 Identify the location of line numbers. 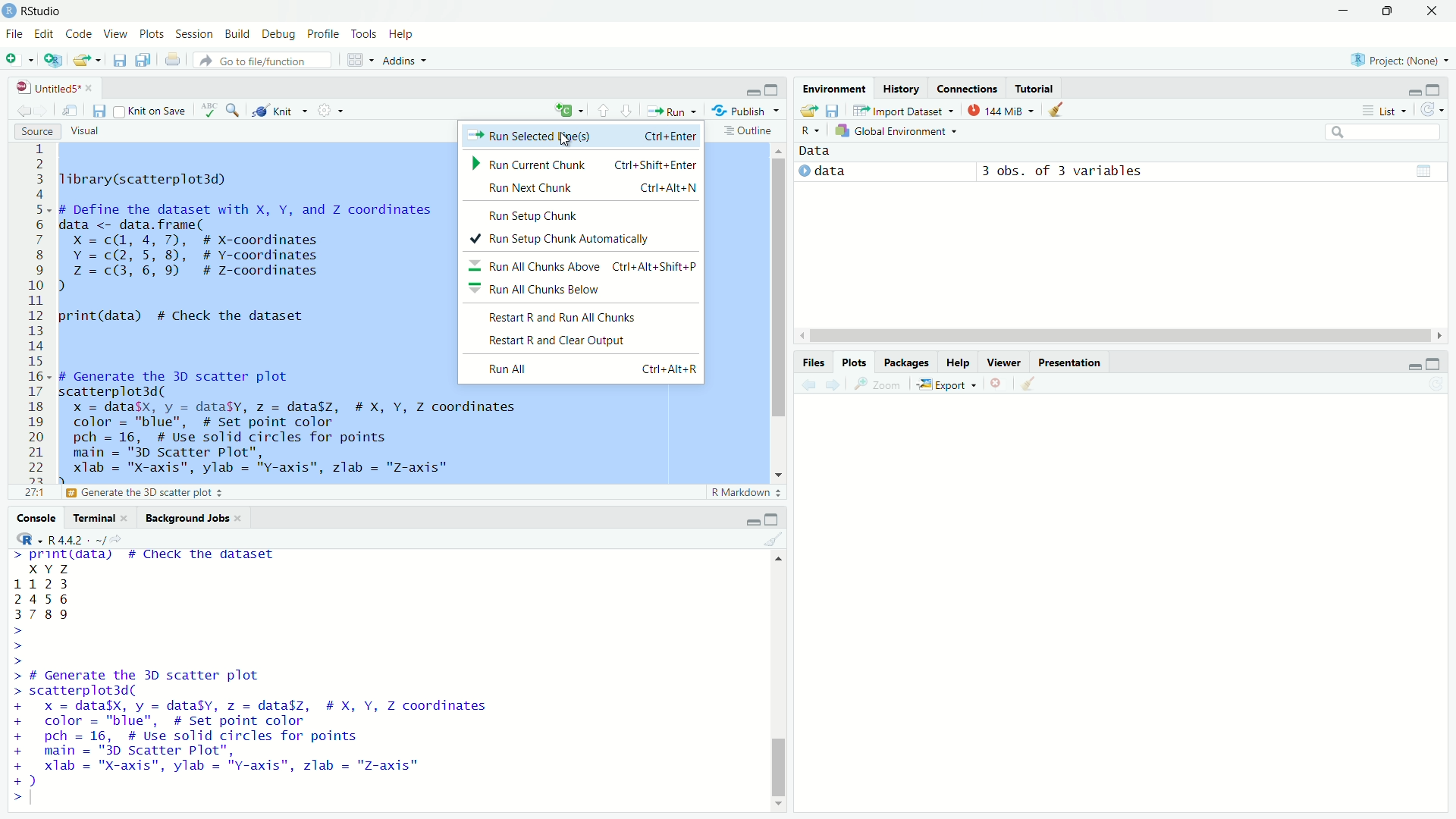
(35, 312).